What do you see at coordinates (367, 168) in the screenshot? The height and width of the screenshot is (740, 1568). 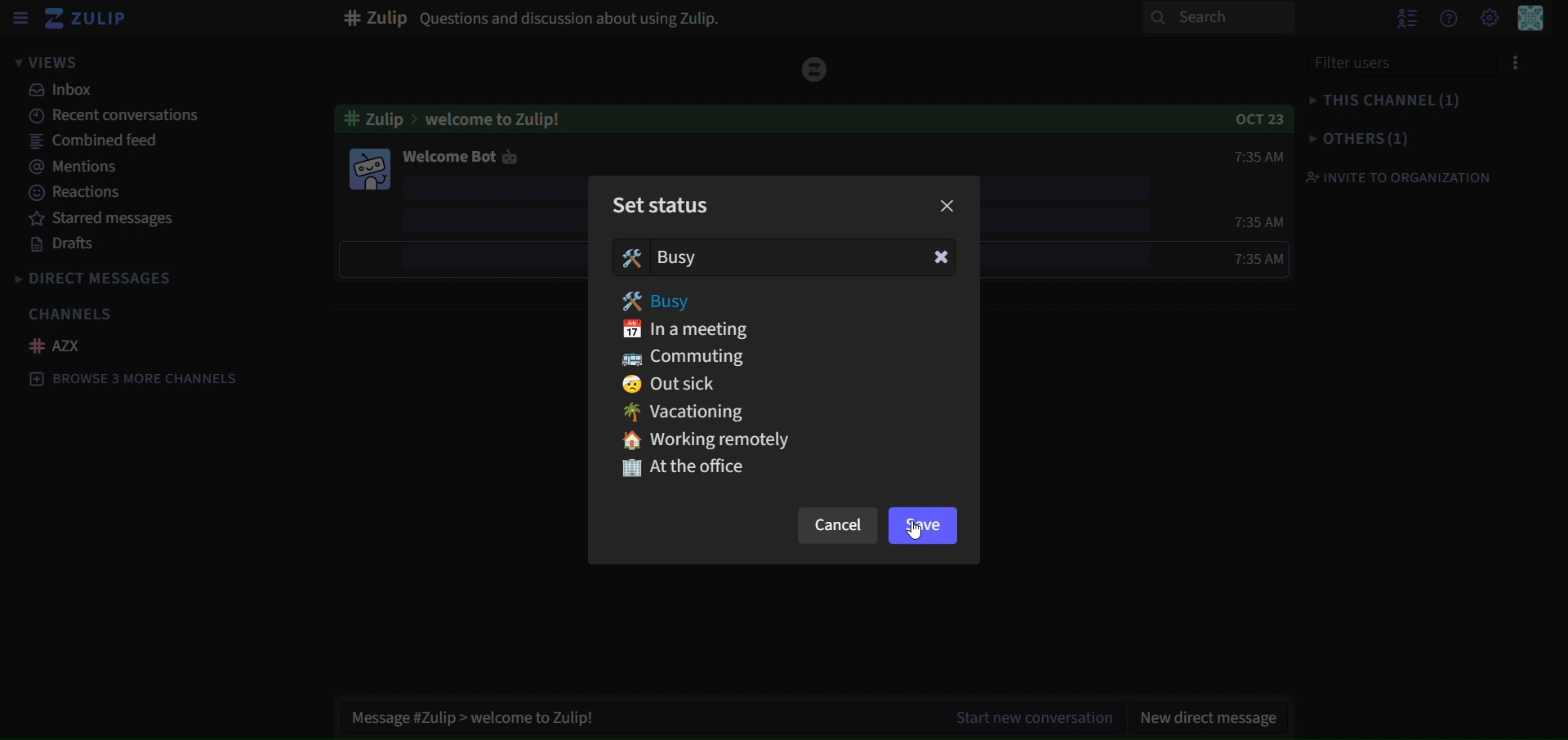 I see `image` at bounding box center [367, 168].